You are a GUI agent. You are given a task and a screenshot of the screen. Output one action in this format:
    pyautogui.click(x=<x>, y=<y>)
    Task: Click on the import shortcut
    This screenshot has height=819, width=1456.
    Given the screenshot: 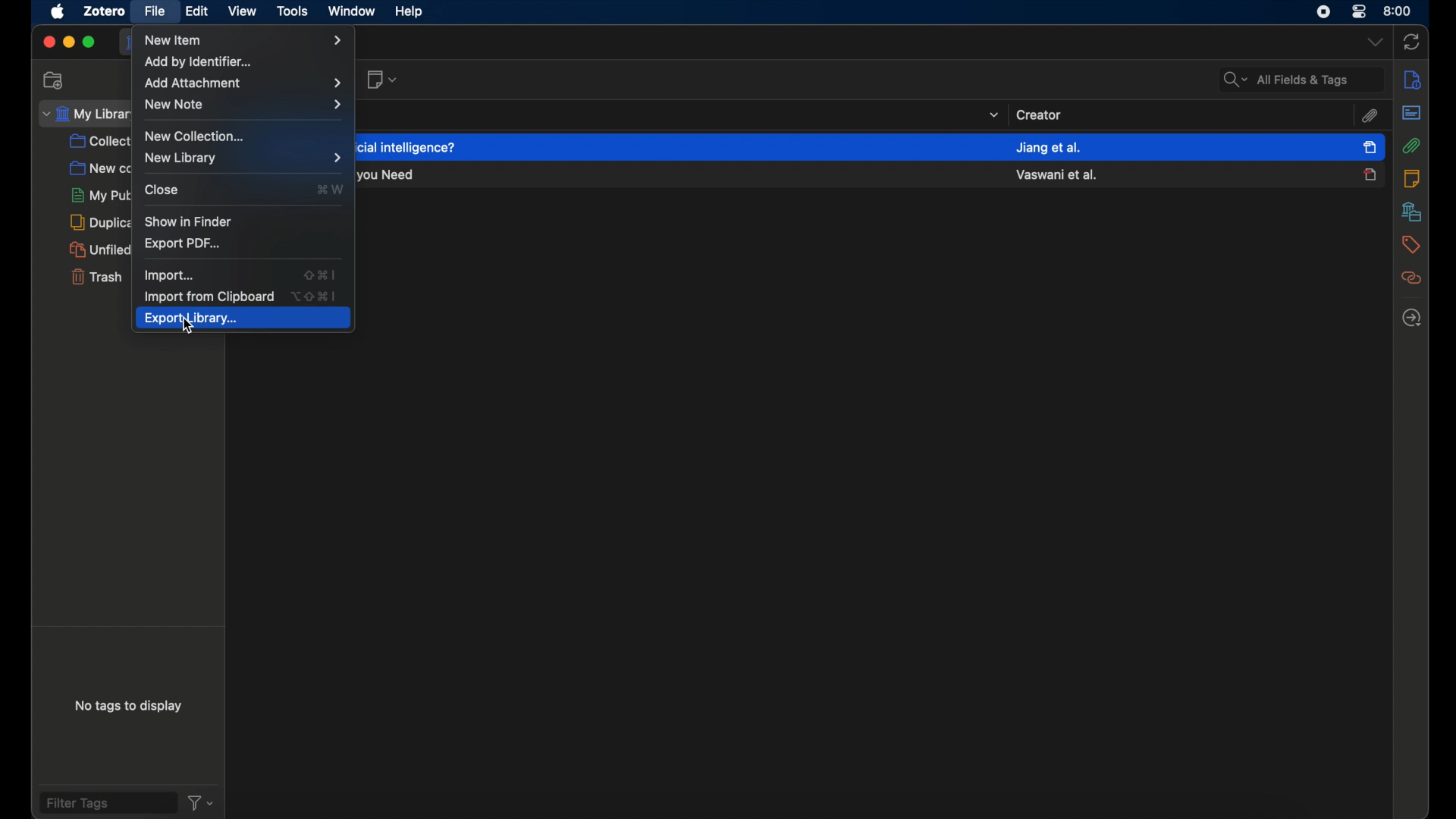 What is the action you would take?
    pyautogui.click(x=321, y=274)
    